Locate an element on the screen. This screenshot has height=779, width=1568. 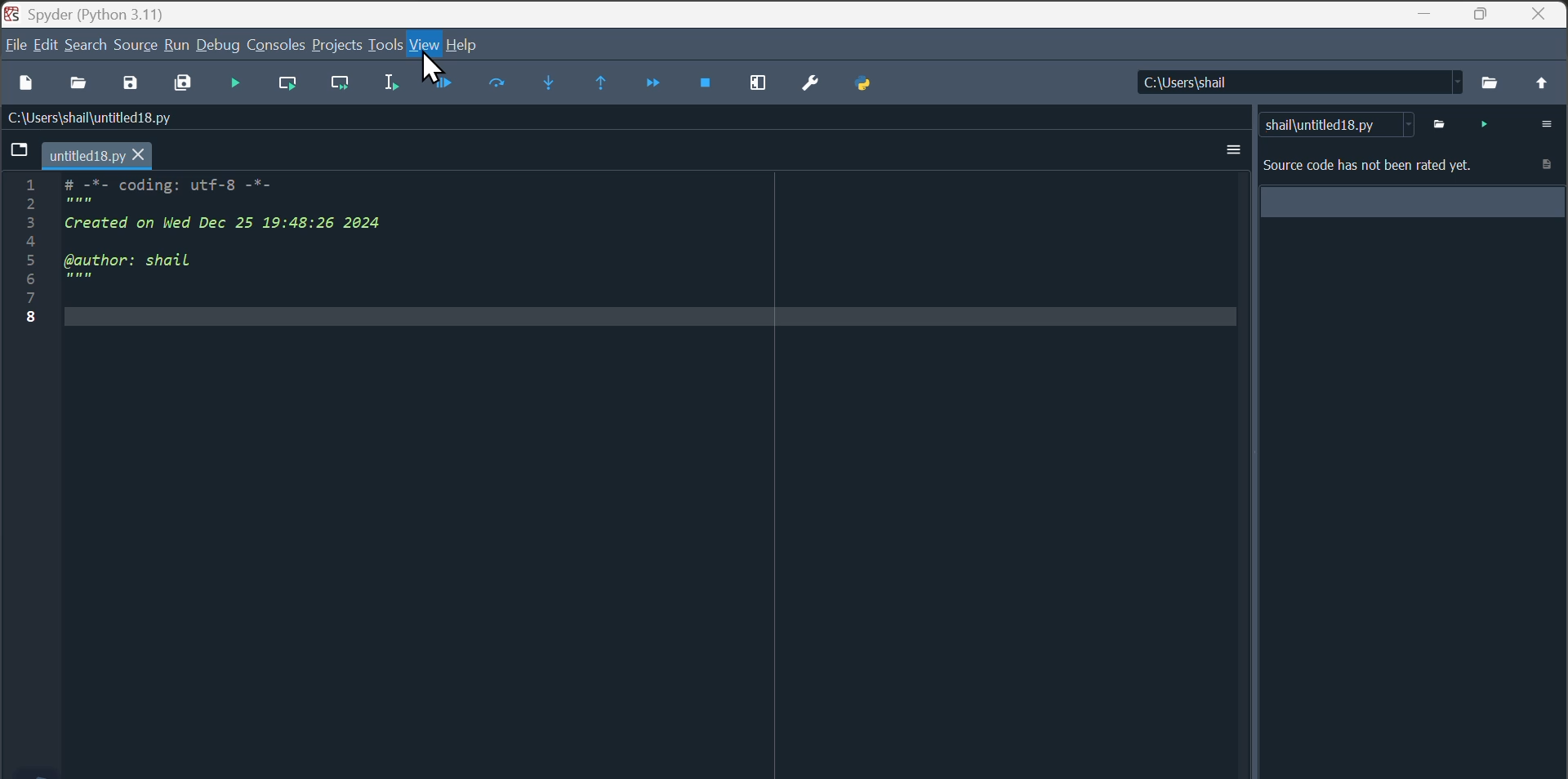
select parent file is located at coordinates (1542, 82).